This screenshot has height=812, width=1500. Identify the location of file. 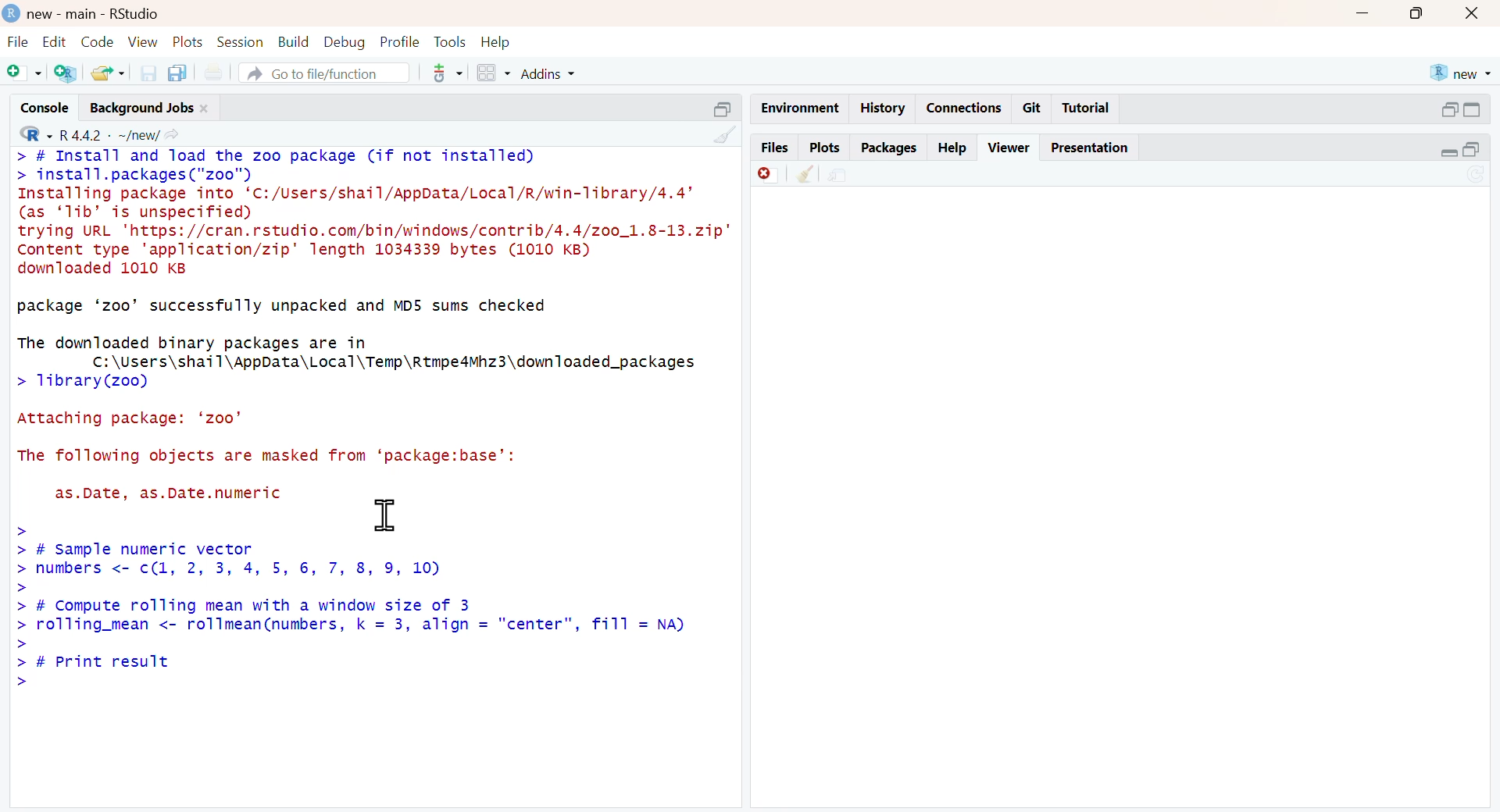
(18, 41).